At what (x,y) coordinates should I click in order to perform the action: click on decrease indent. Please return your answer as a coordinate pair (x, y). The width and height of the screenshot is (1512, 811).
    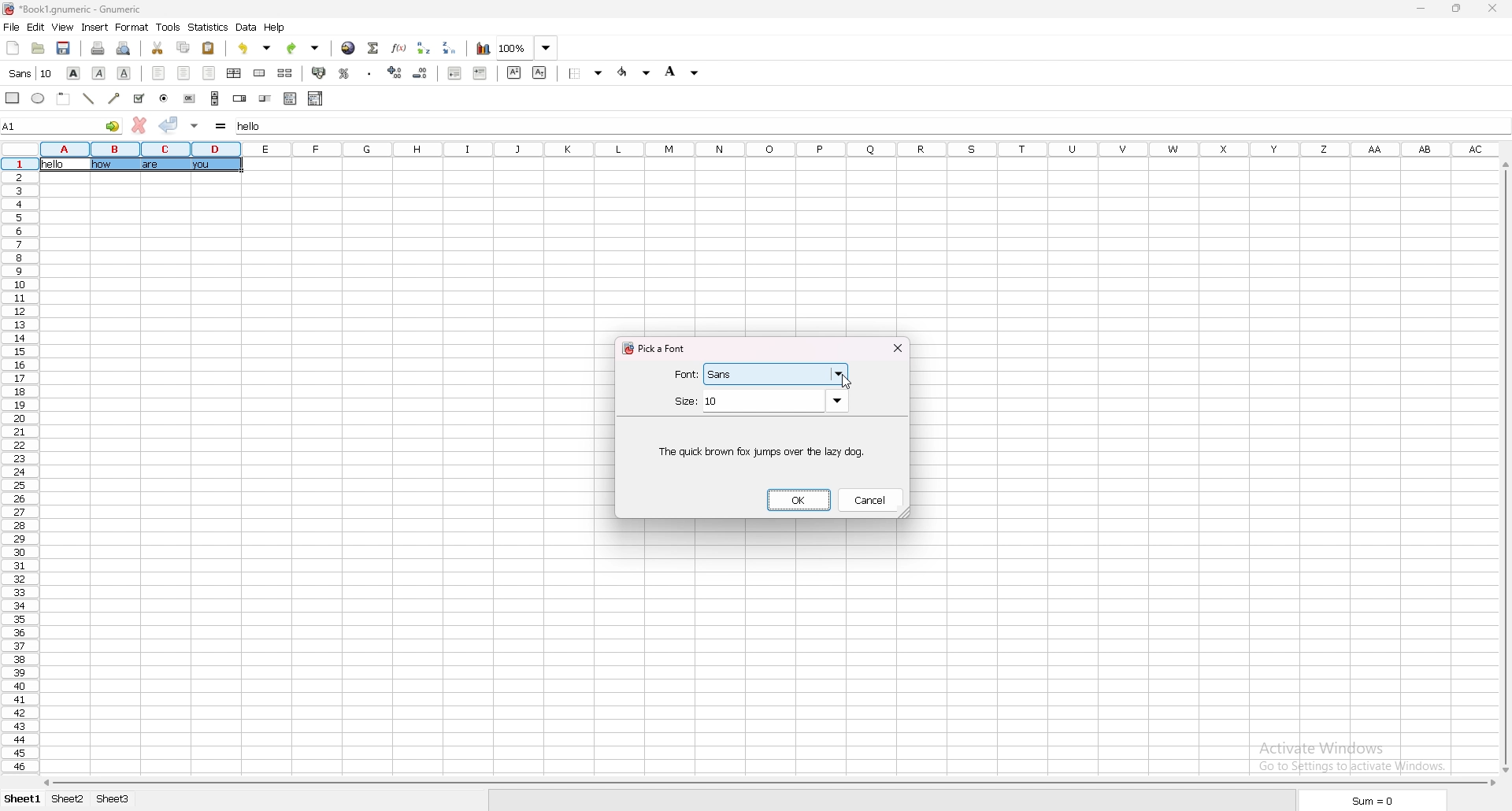
    Looking at the image, I should click on (455, 73).